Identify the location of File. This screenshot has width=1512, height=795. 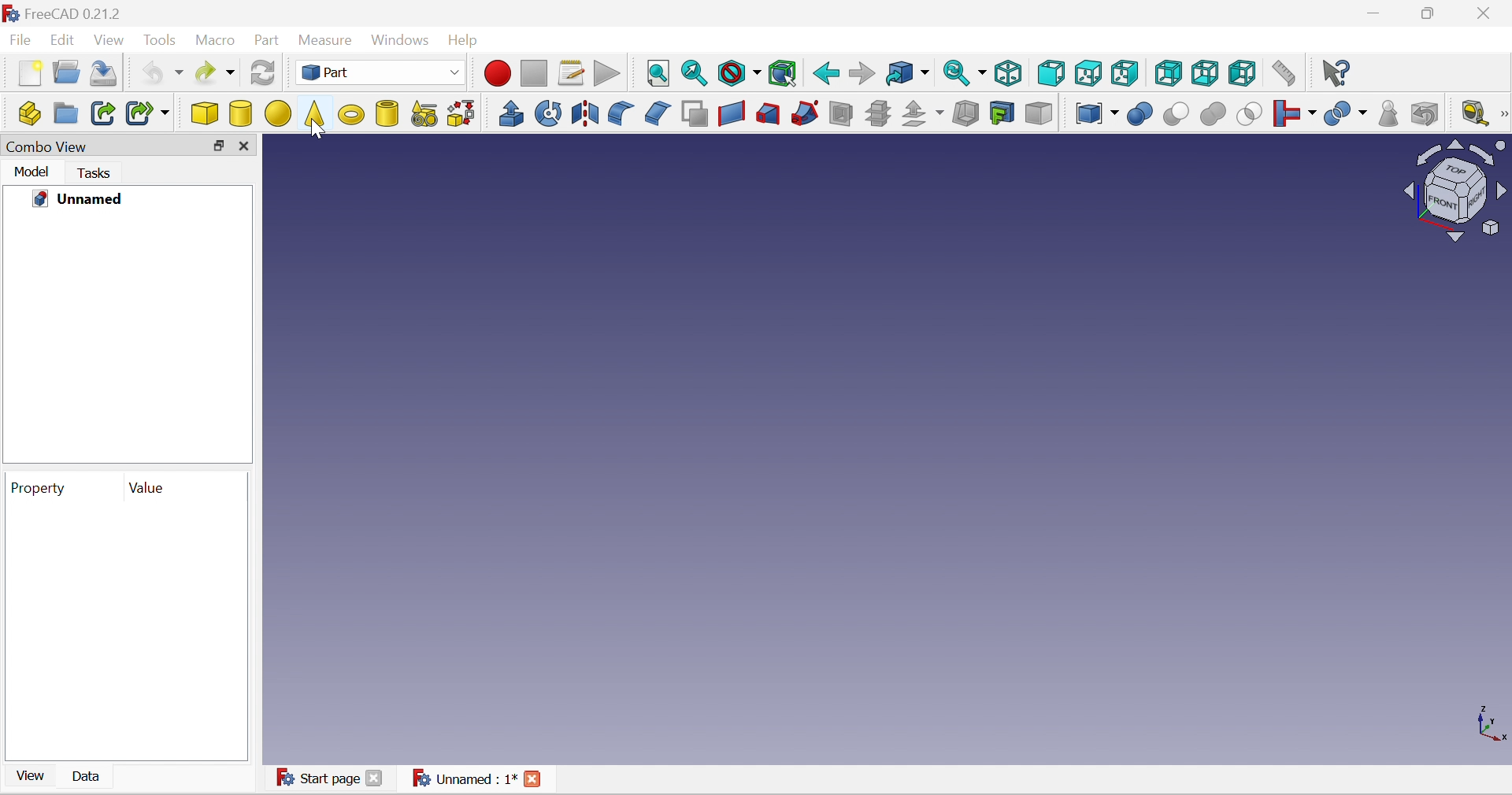
(23, 41).